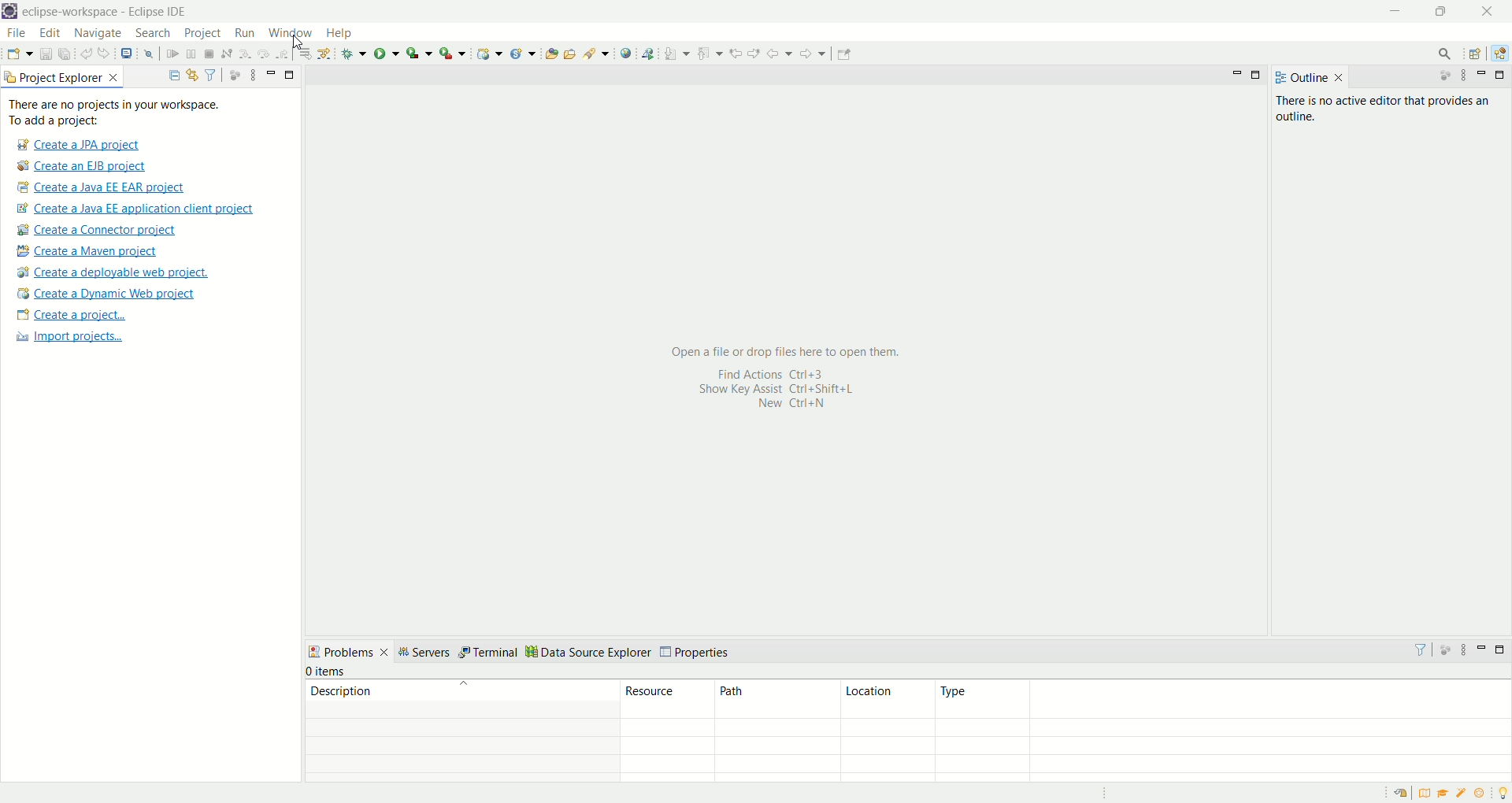  Describe the element at coordinates (1463, 793) in the screenshot. I see `samples` at that location.